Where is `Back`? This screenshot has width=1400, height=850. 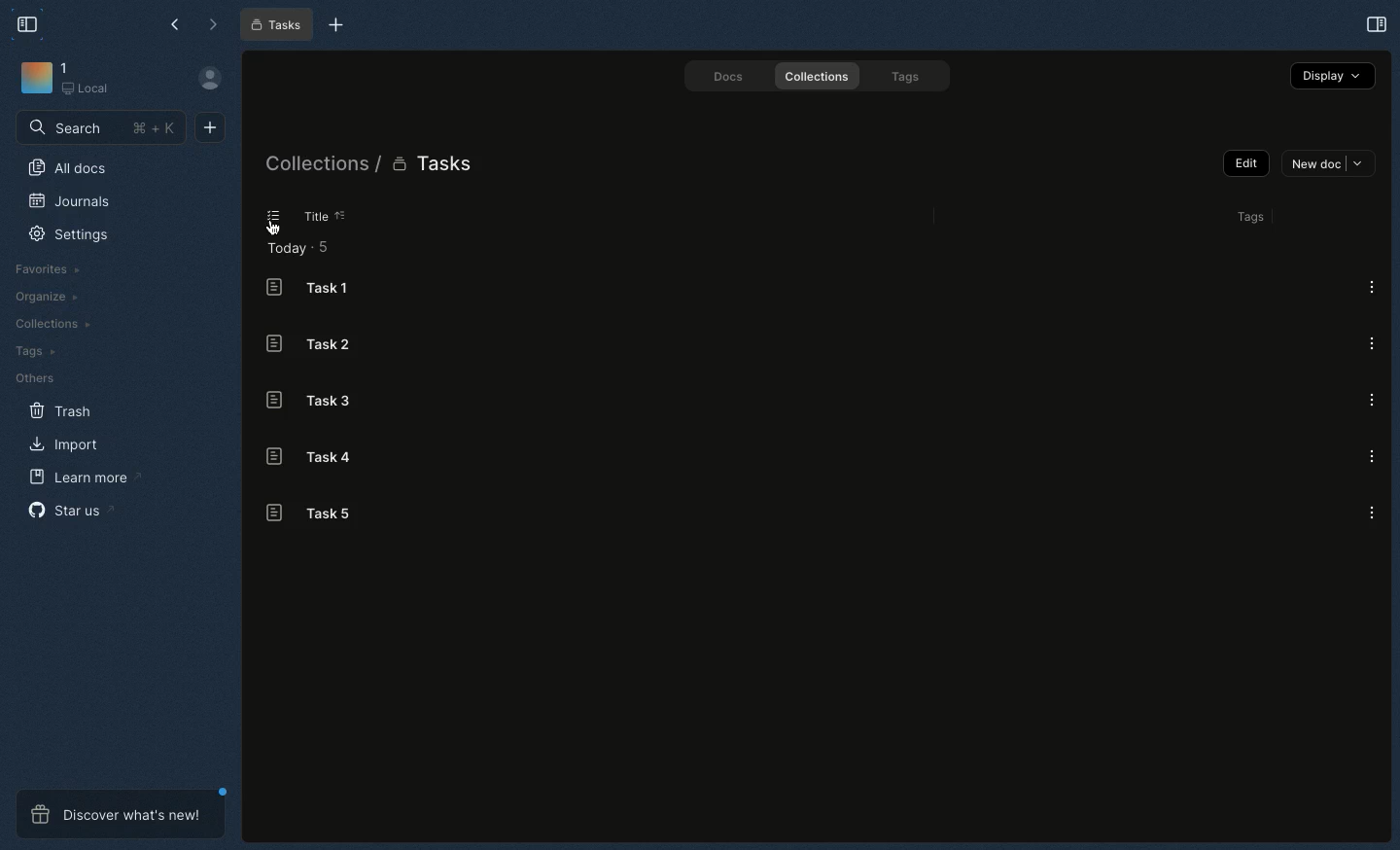
Back is located at coordinates (179, 23).